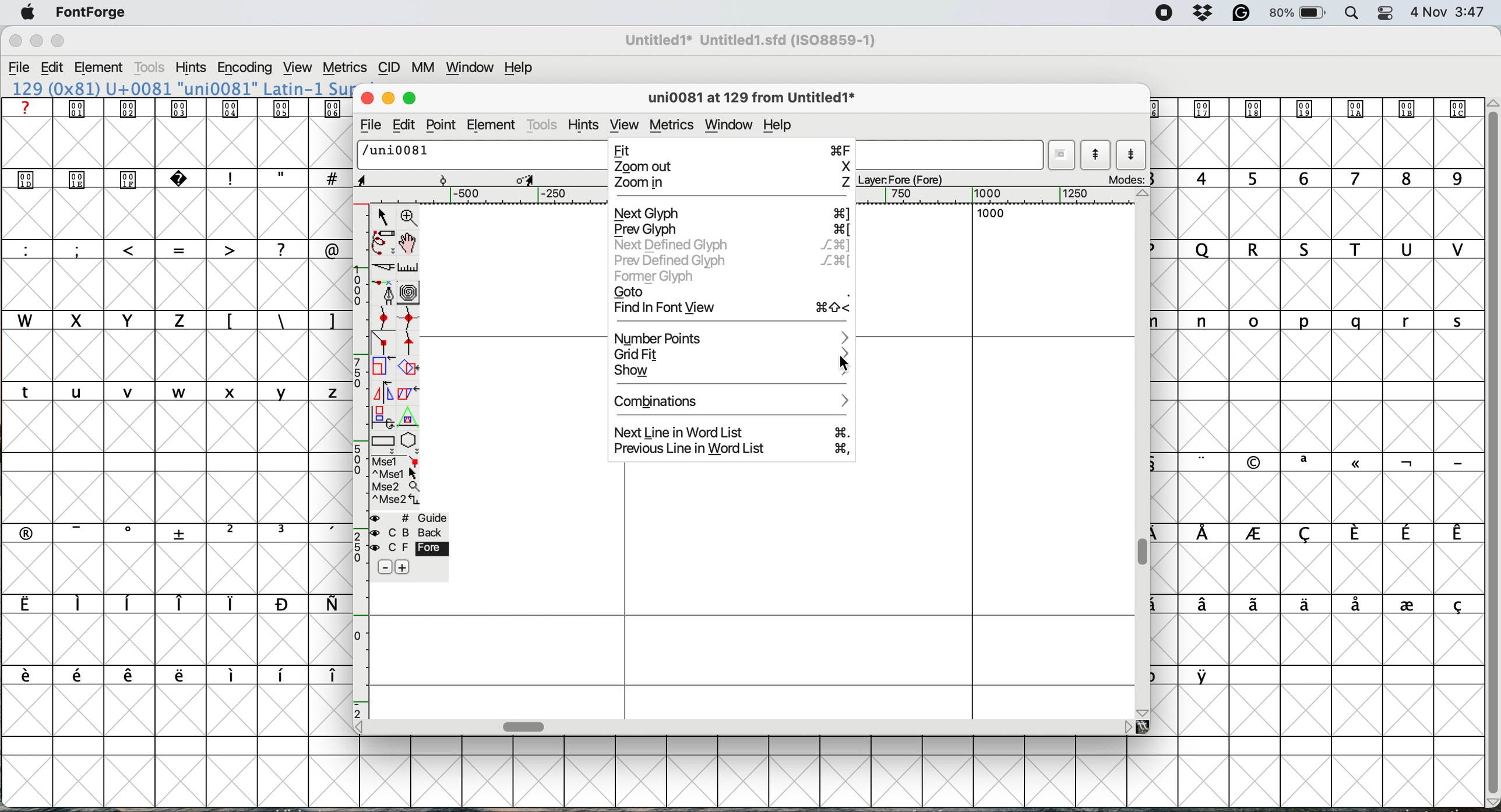 The image size is (1501, 812). I want to click on hints, so click(584, 124).